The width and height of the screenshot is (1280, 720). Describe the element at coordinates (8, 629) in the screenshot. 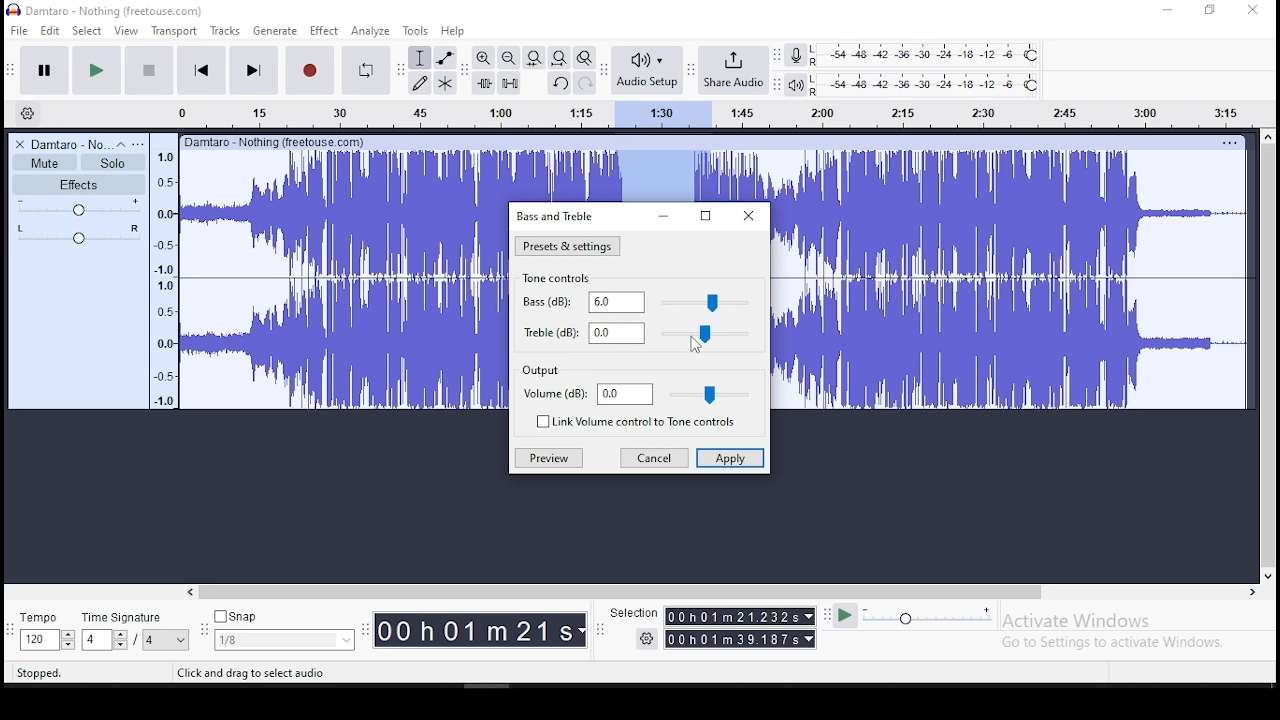

I see `` at that location.